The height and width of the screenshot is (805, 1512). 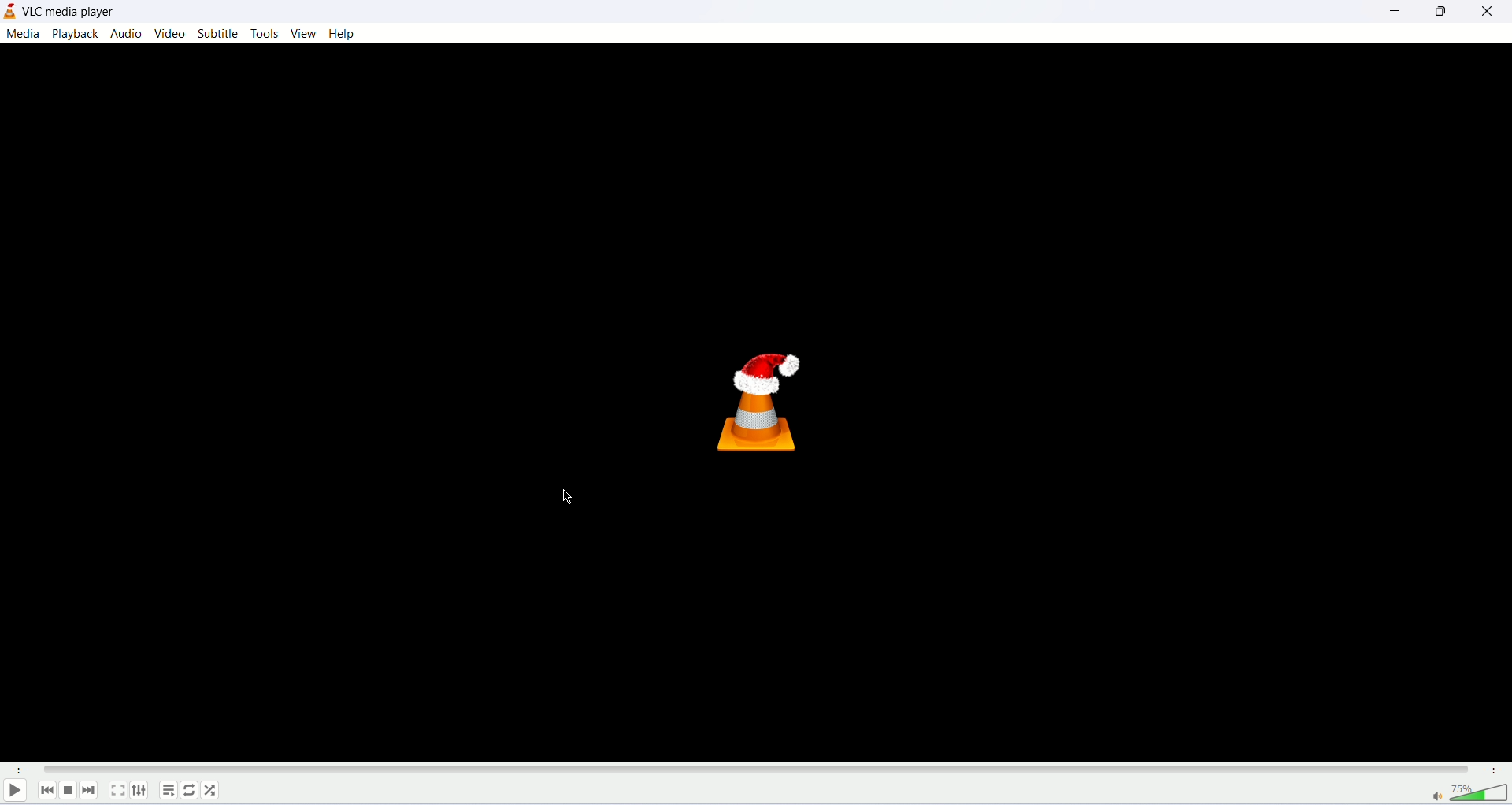 What do you see at coordinates (757, 769) in the screenshot?
I see `progress bar` at bounding box center [757, 769].